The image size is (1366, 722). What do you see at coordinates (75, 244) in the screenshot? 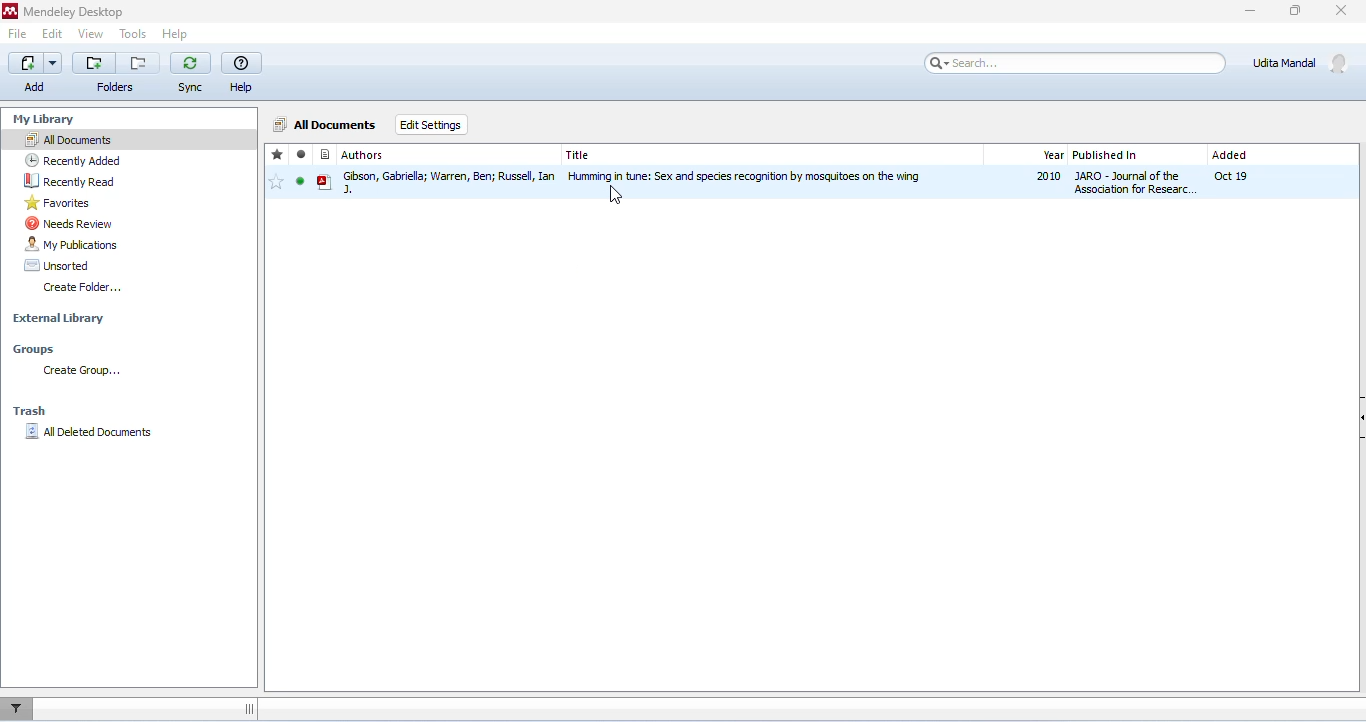
I see `my publication` at bounding box center [75, 244].